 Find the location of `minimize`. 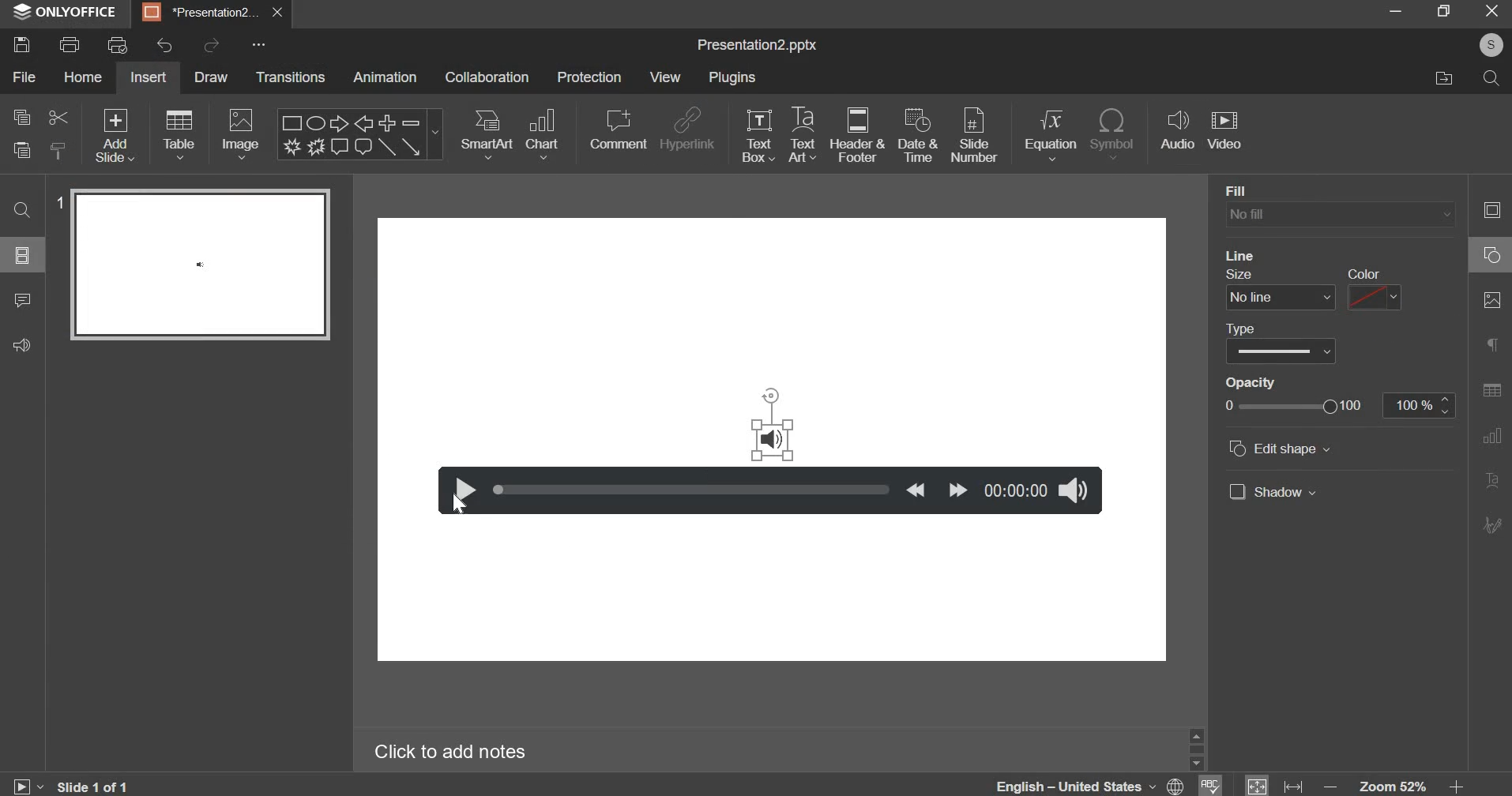

minimize is located at coordinates (1393, 14).